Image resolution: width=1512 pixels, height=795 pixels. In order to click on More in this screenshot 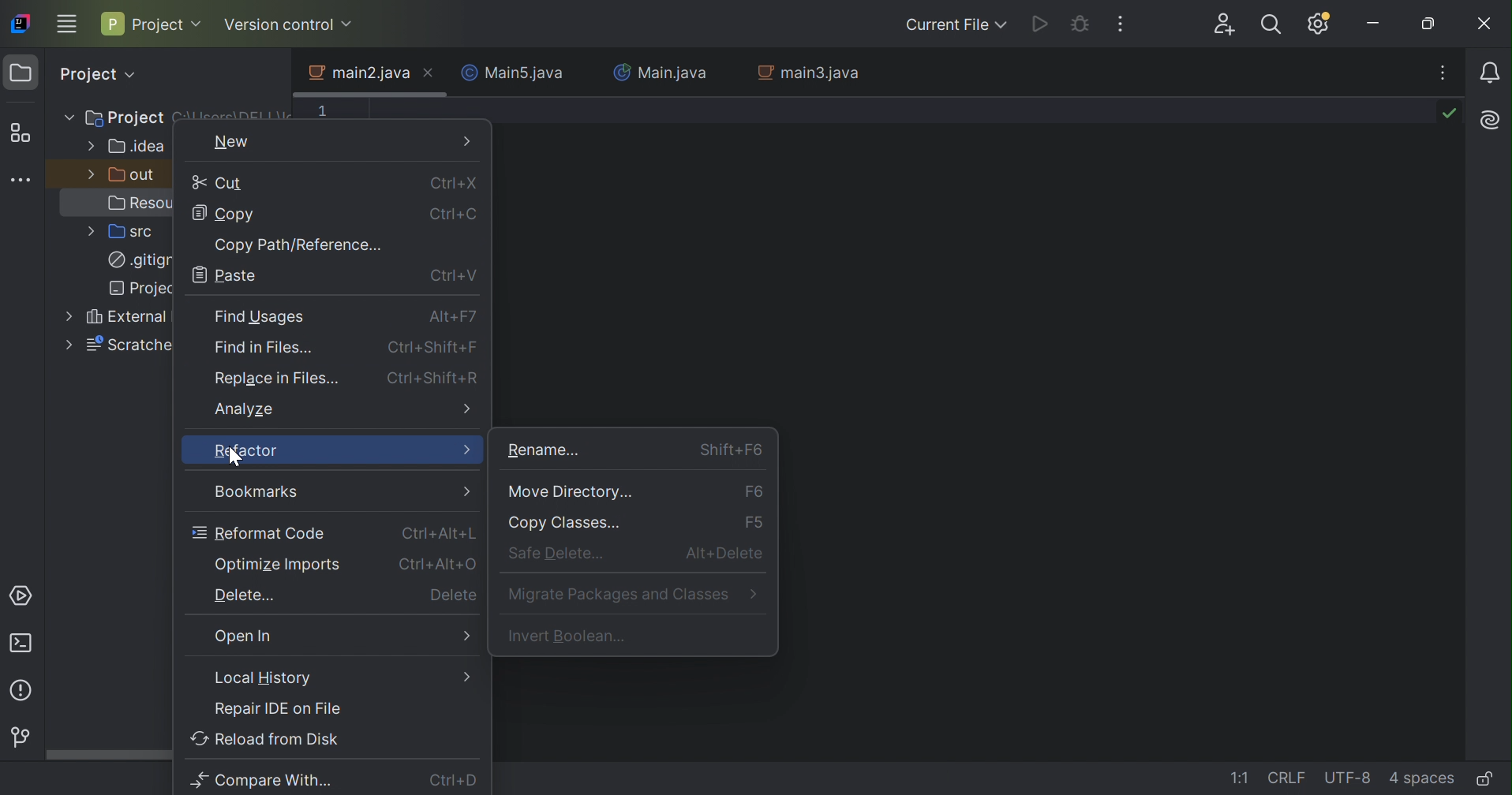, I will do `click(464, 491)`.